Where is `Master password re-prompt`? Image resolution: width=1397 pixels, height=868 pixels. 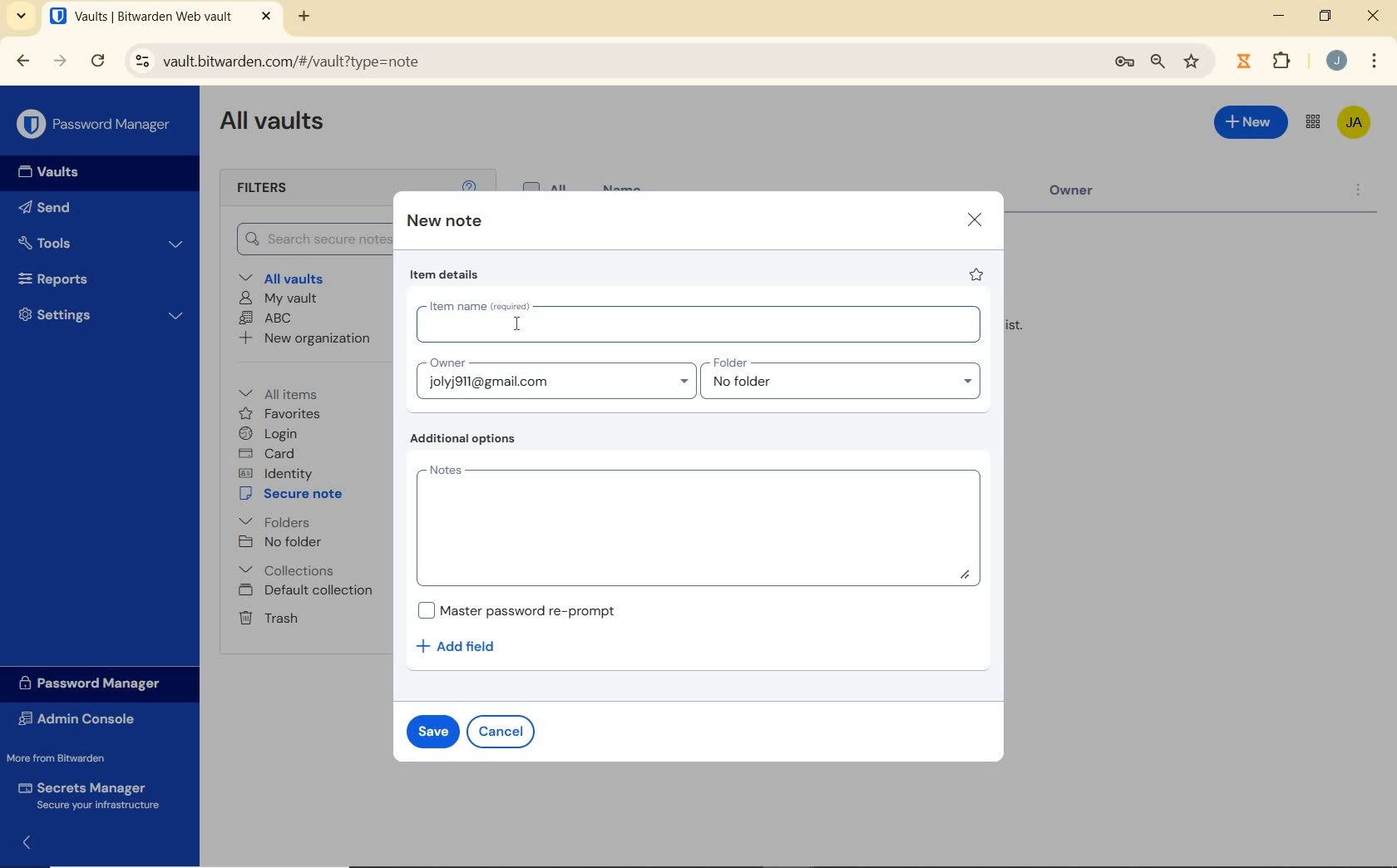 Master password re-prompt is located at coordinates (526, 609).